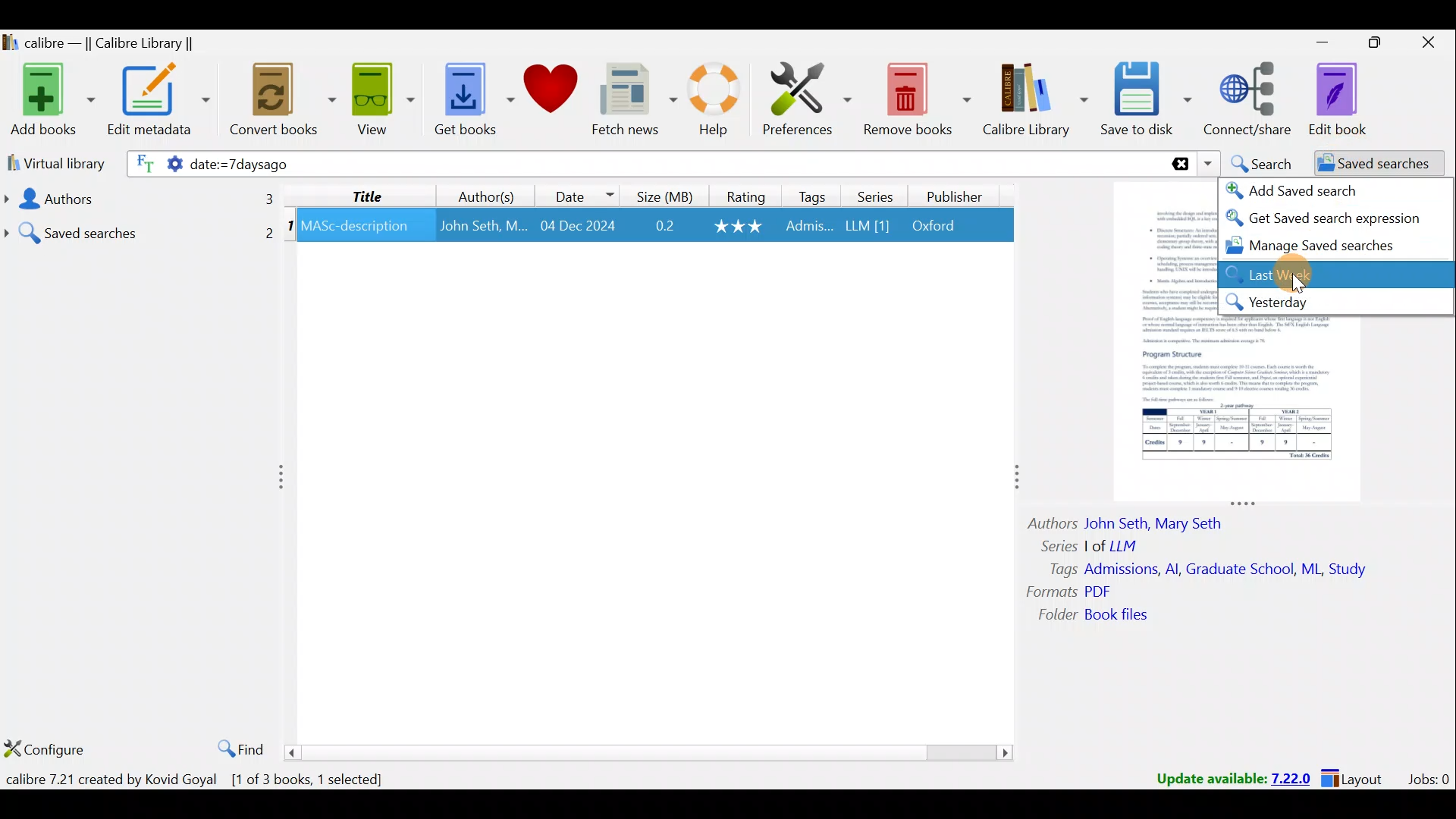 Image resolution: width=1456 pixels, height=819 pixels. Describe the element at coordinates (282, 480) in the screenshot. I see `adjust column to left` at that location.